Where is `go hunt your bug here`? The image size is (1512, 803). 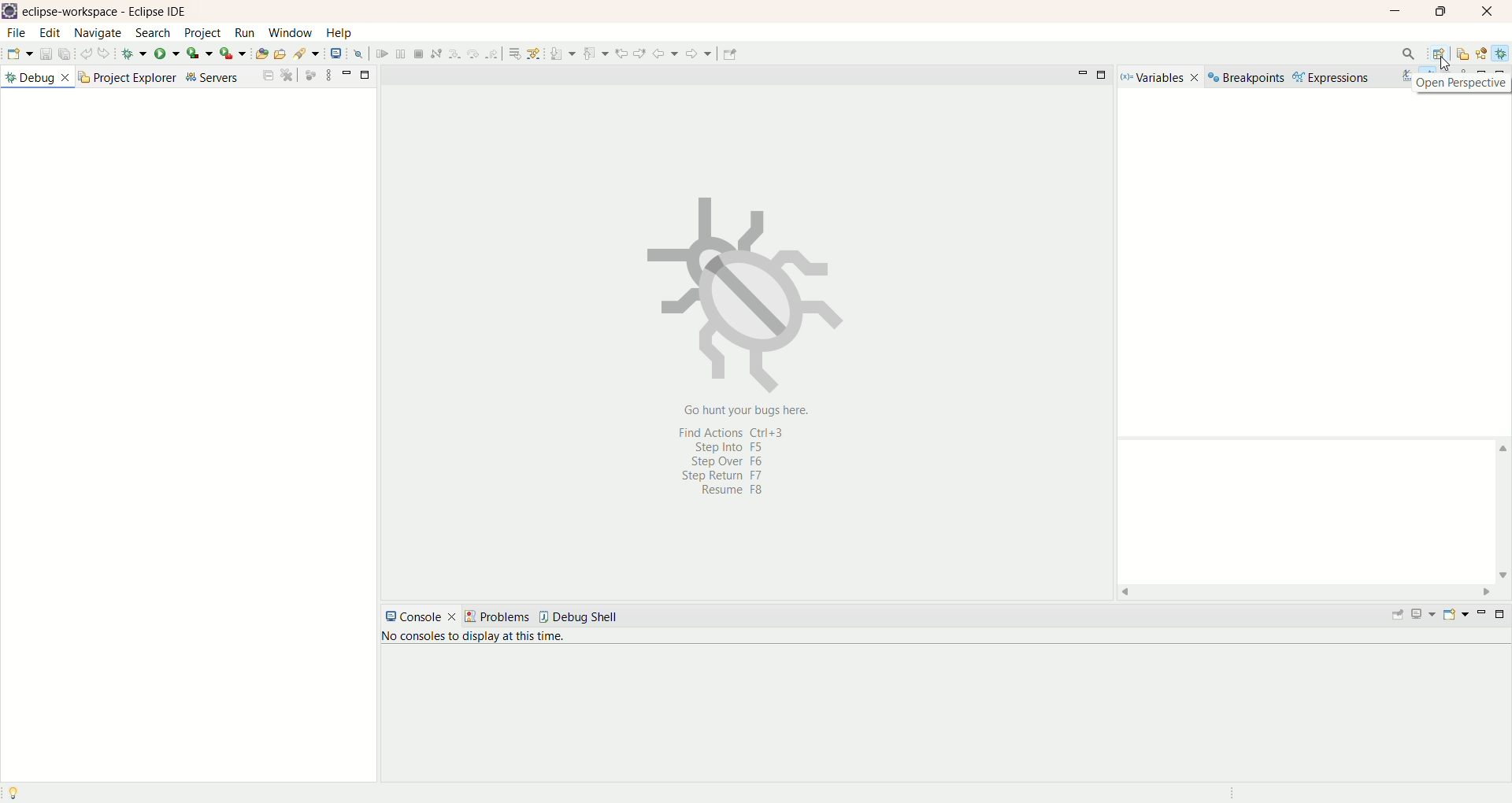 go hunt your bug here is located at coordinates (732, 411).